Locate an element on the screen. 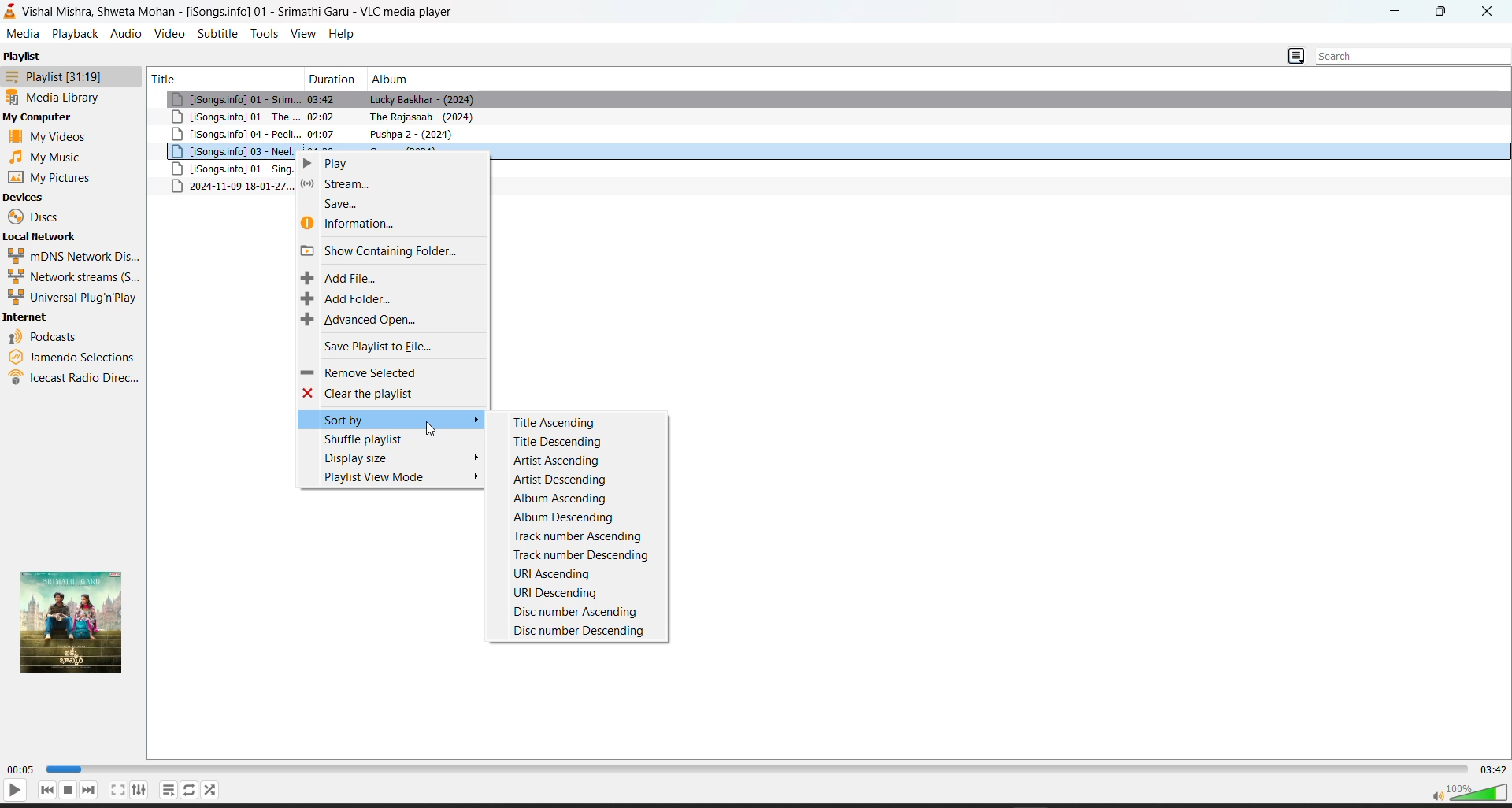 Image resolution: width=1512 pixels, height=808 pixels. discs is located at coordinates (38, 217).